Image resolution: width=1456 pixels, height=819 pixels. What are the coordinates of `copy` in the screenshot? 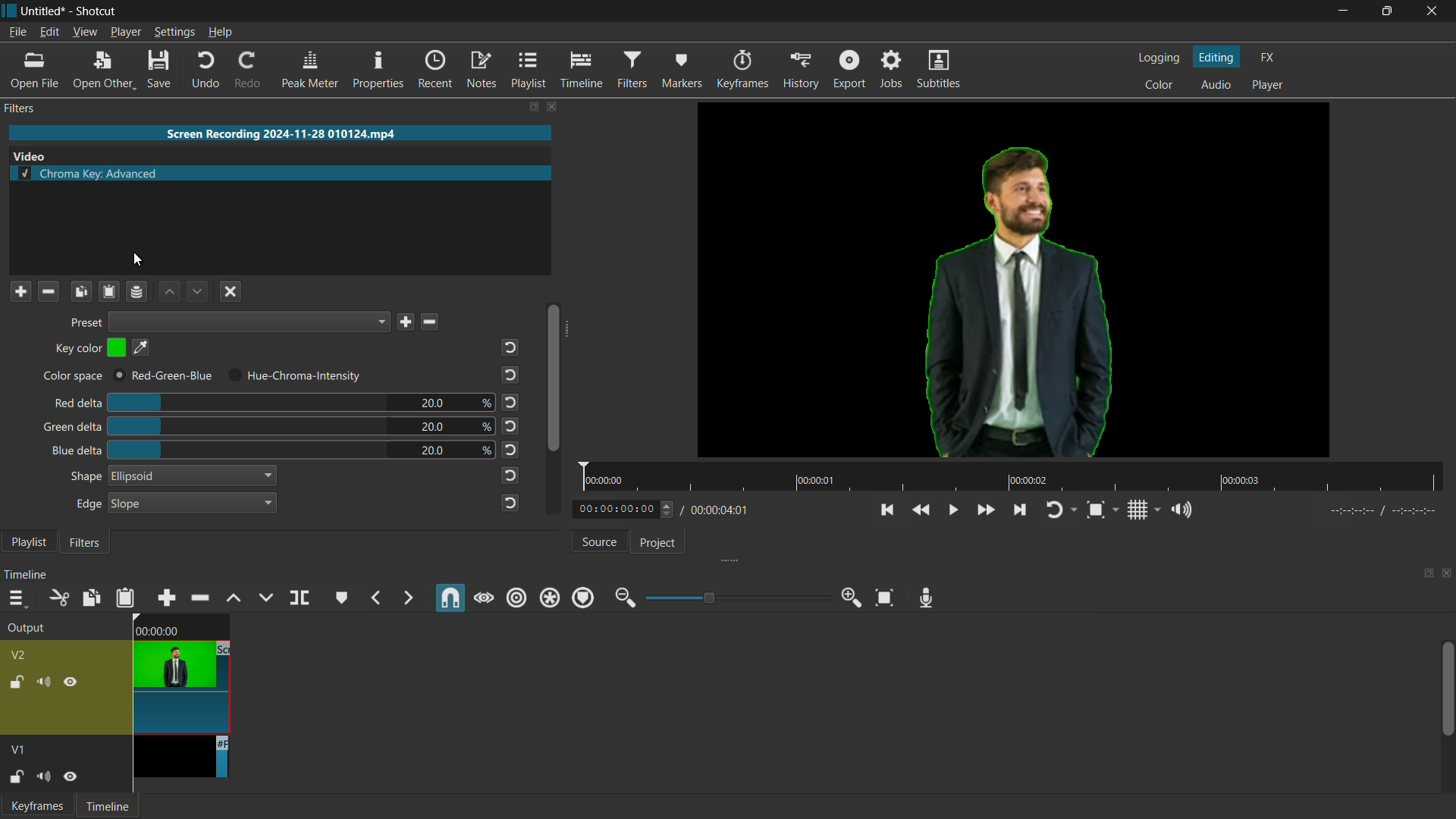 It's located at (90, 598).